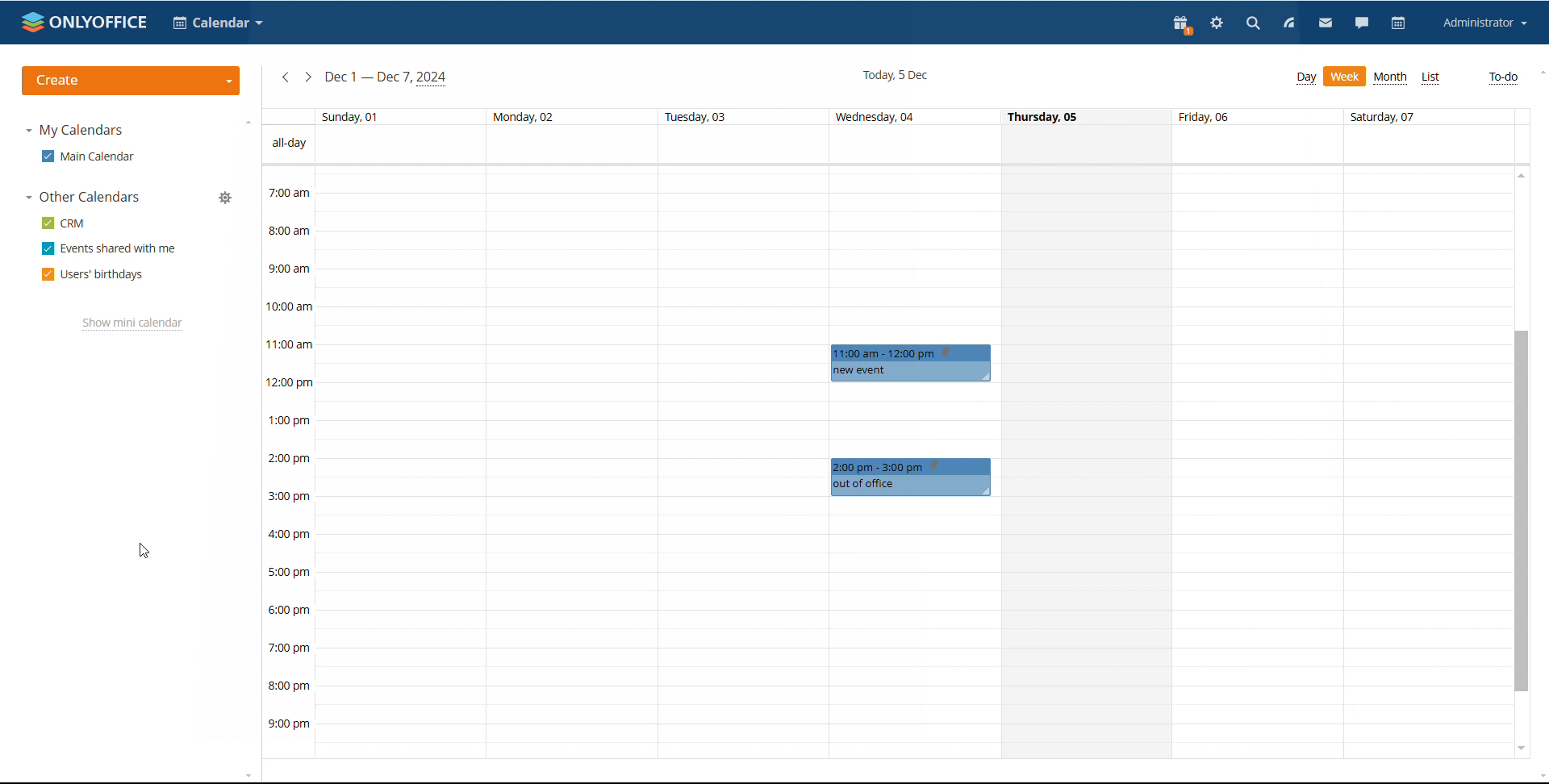 The width and height of the screenshot is (1549, 784). I want to click on allday events, so click(888, 144).